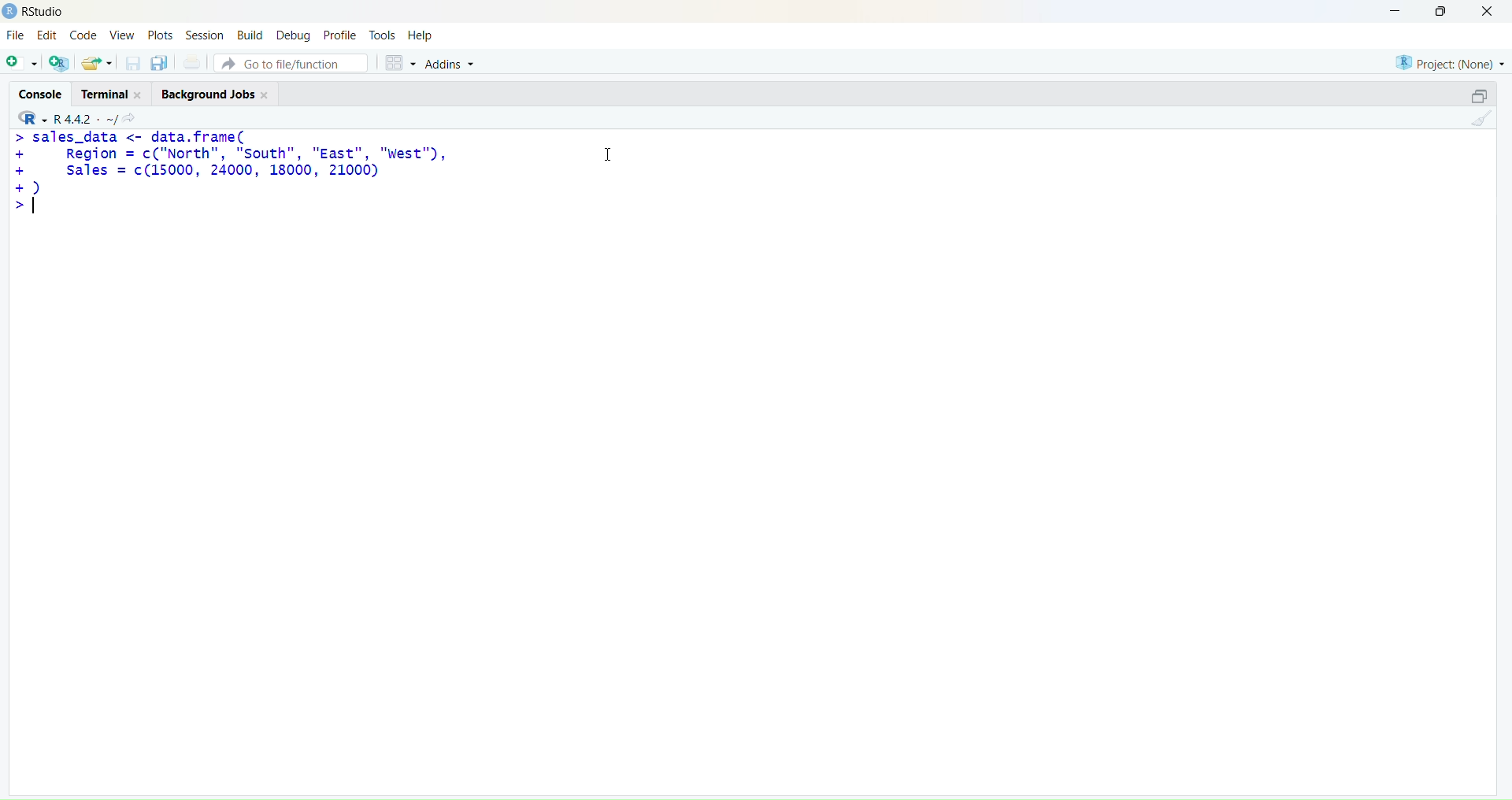  I want to click on Build, so click(249, 35).